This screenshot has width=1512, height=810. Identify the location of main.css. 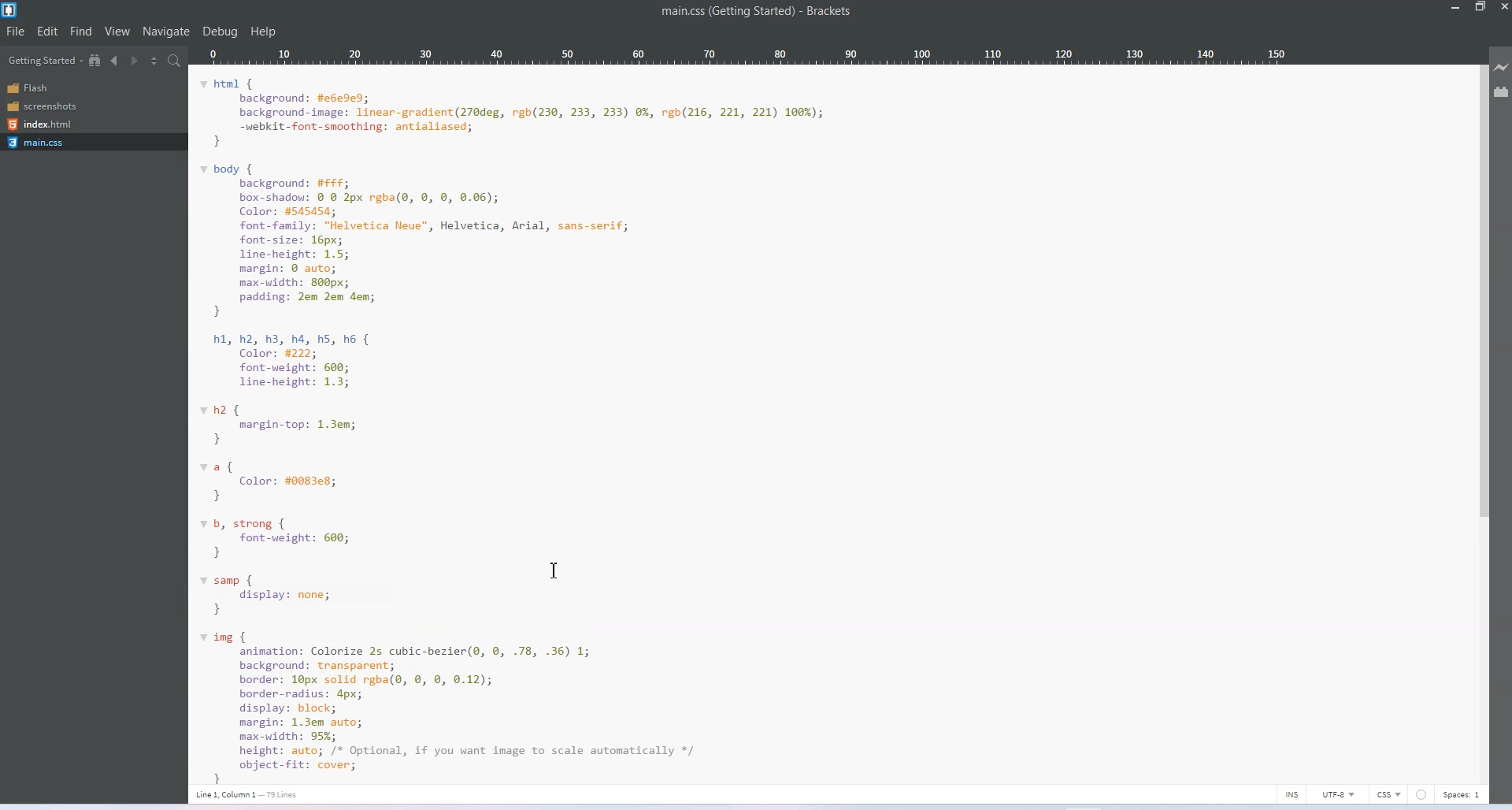
(43, 143).